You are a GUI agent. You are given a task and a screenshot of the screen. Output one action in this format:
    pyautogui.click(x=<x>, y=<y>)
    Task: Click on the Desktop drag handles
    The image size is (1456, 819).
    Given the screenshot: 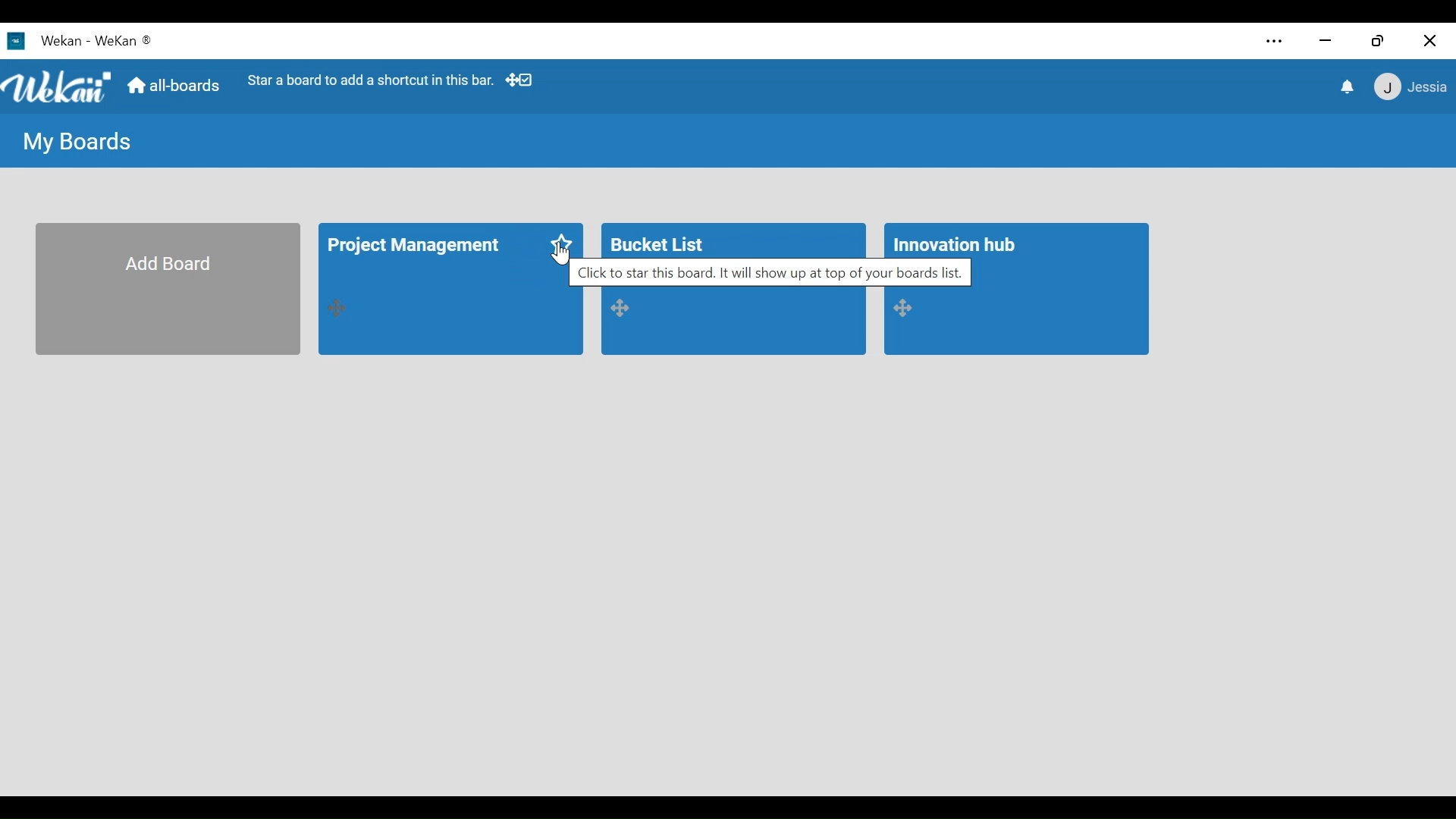 What is the action you would take?
    pyautogui.click(x=626, y=309)
    